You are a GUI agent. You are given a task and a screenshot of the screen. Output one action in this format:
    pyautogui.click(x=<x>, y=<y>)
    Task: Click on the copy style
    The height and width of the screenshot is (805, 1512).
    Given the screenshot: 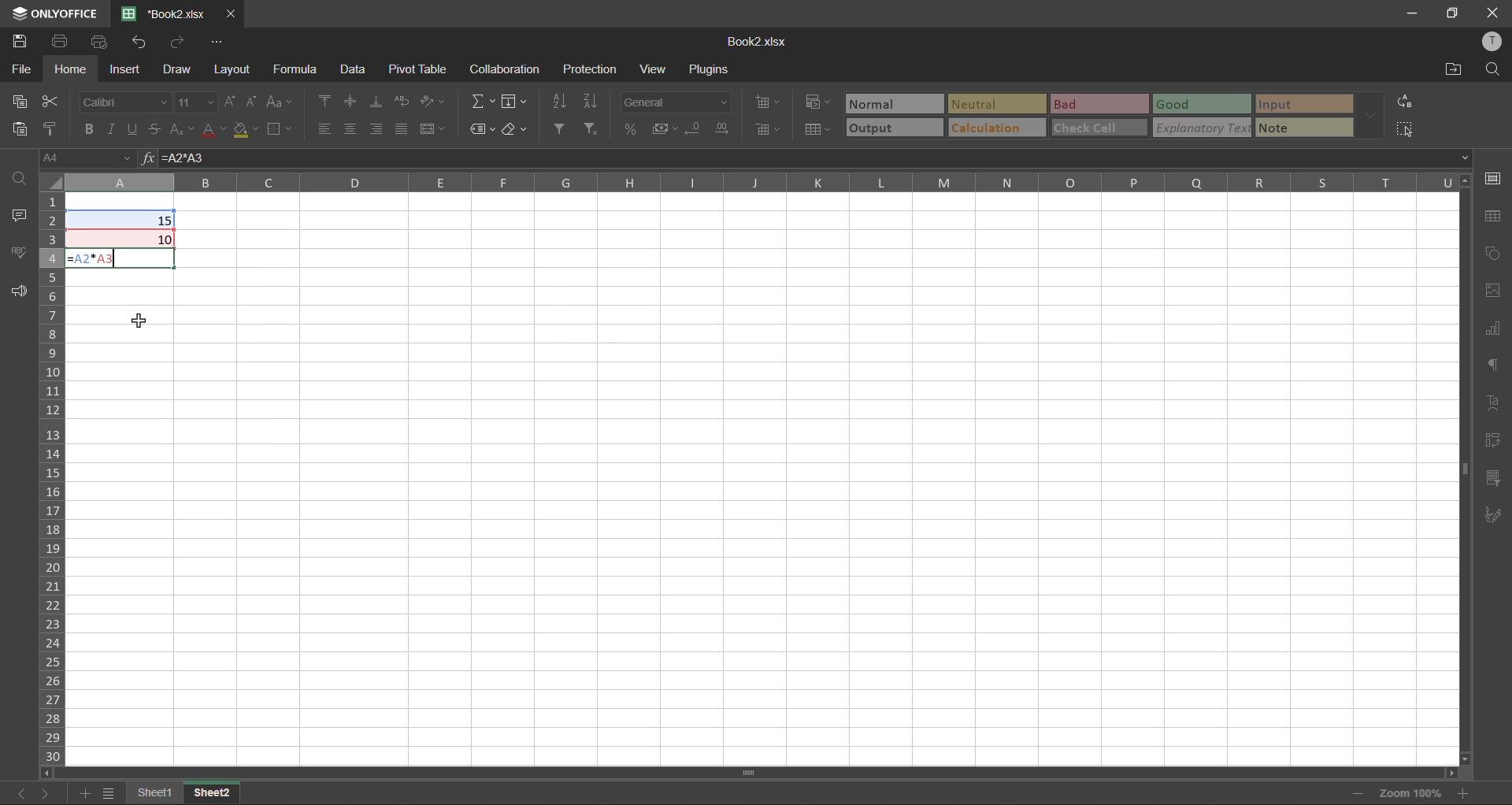 What is the action you would take?
    pyautogui.click(x=46, y=129)
    